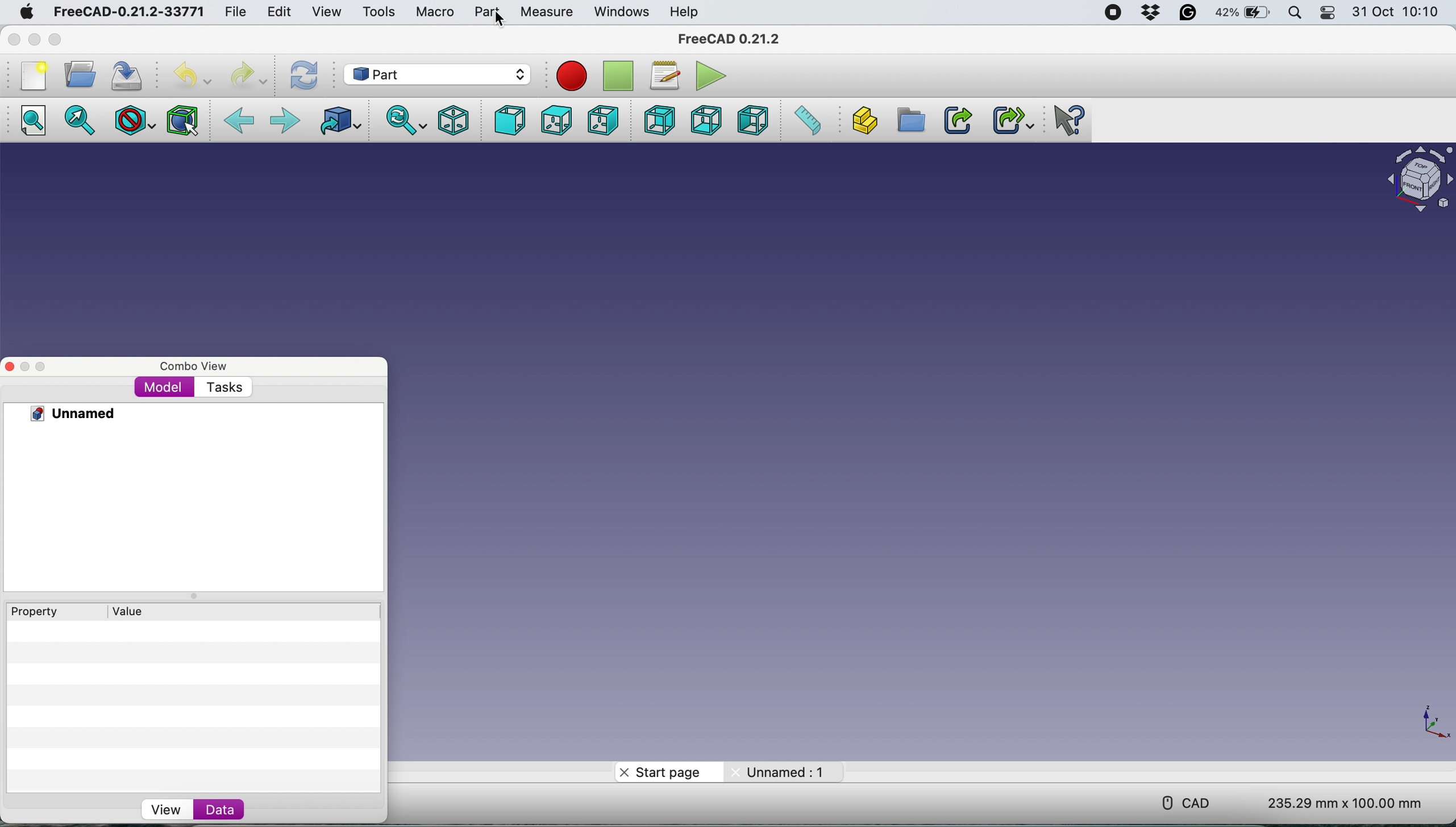 The width and height of the screenshot is (1456, 827). I want to click on View, so click(329, 11).